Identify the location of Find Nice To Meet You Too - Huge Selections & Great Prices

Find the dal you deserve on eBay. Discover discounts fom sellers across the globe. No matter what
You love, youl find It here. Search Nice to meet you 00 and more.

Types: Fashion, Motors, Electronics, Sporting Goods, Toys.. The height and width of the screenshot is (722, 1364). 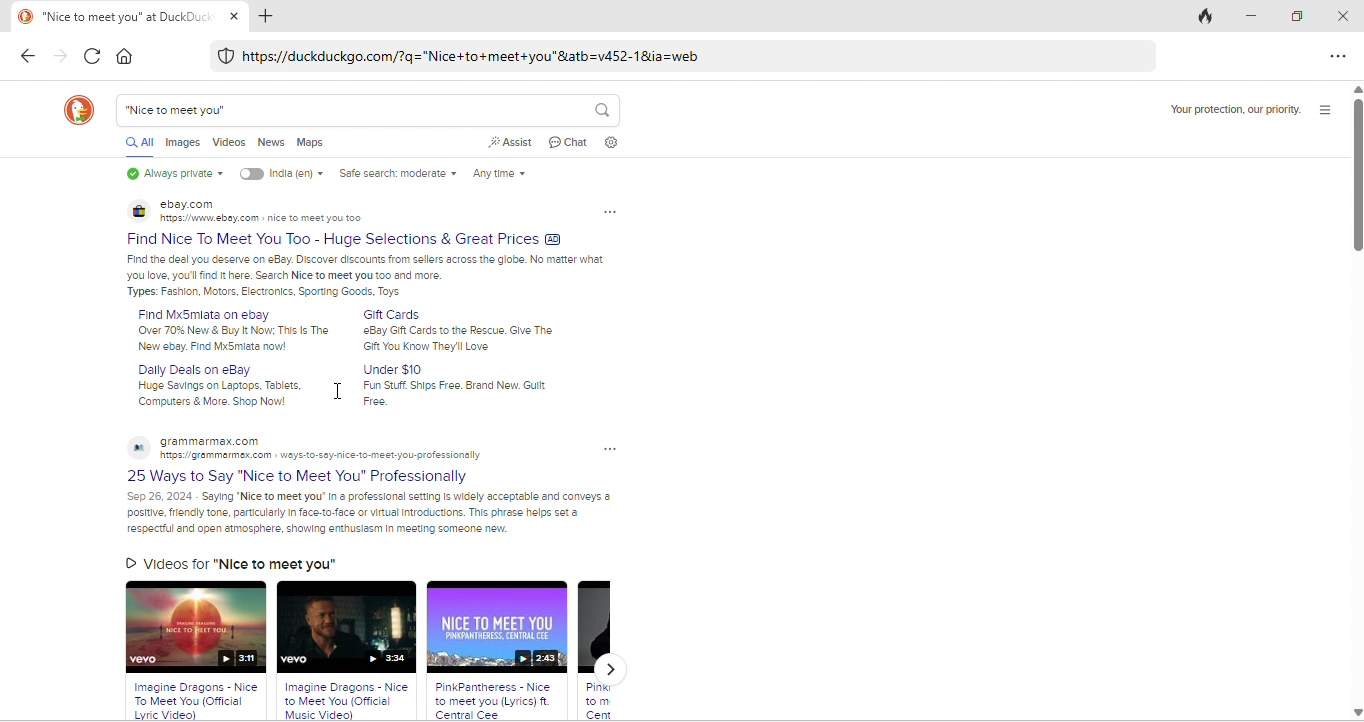
(368, 276).